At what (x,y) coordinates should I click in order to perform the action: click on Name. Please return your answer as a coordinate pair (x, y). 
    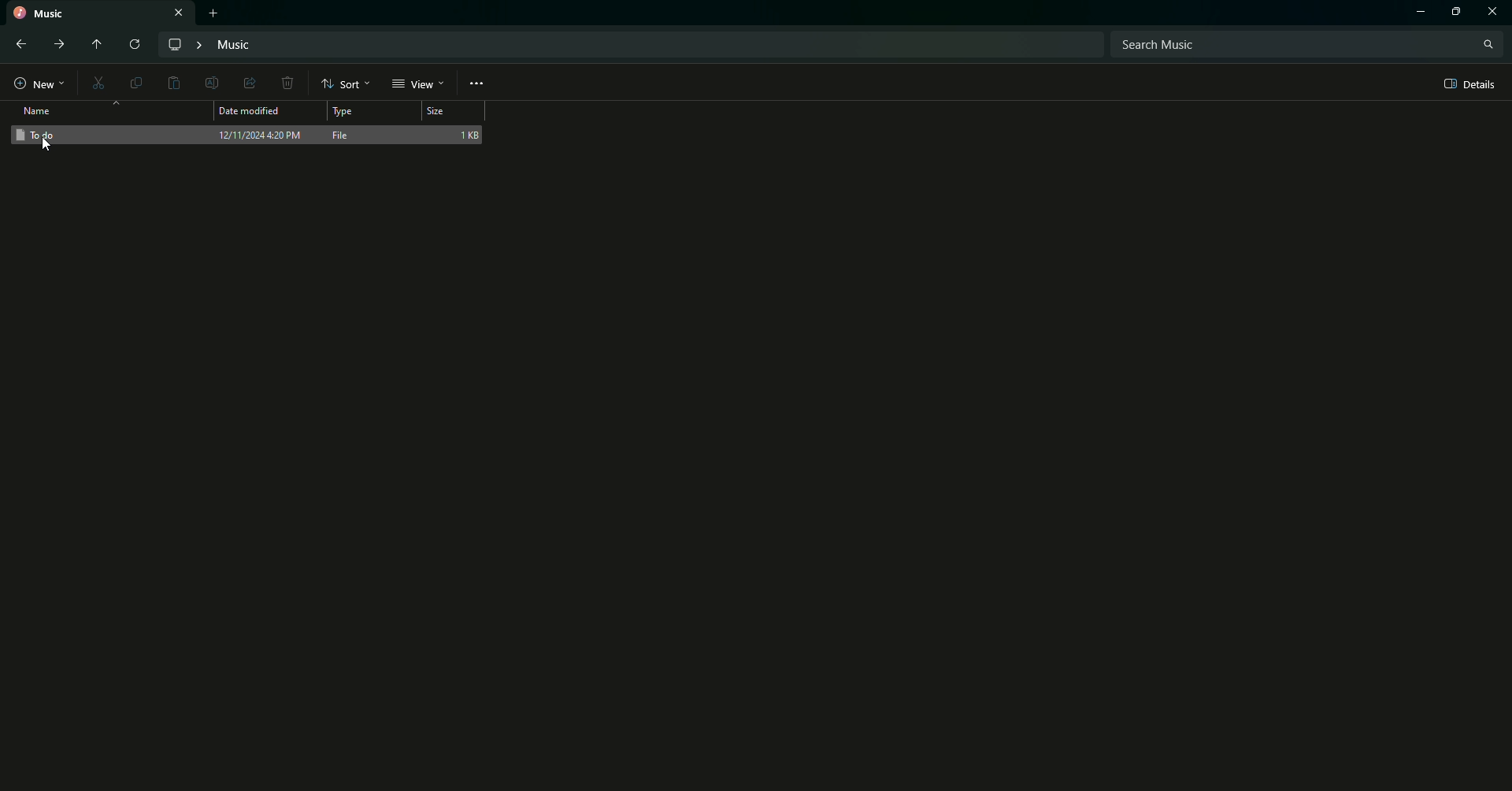
    Looking at the image, I should click on (39, 112).